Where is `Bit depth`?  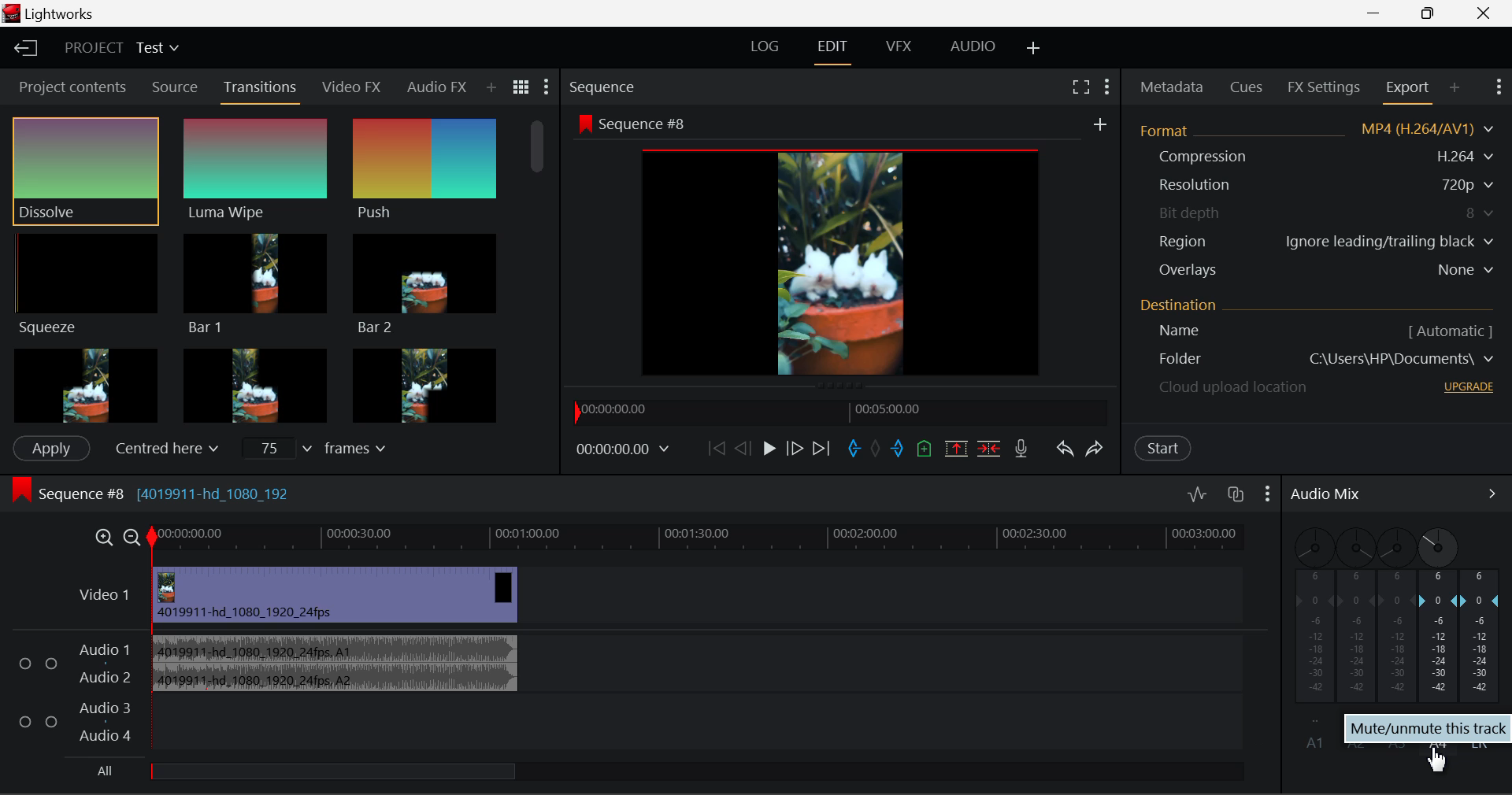
Bit depth is located at coordinates (1315, 213).